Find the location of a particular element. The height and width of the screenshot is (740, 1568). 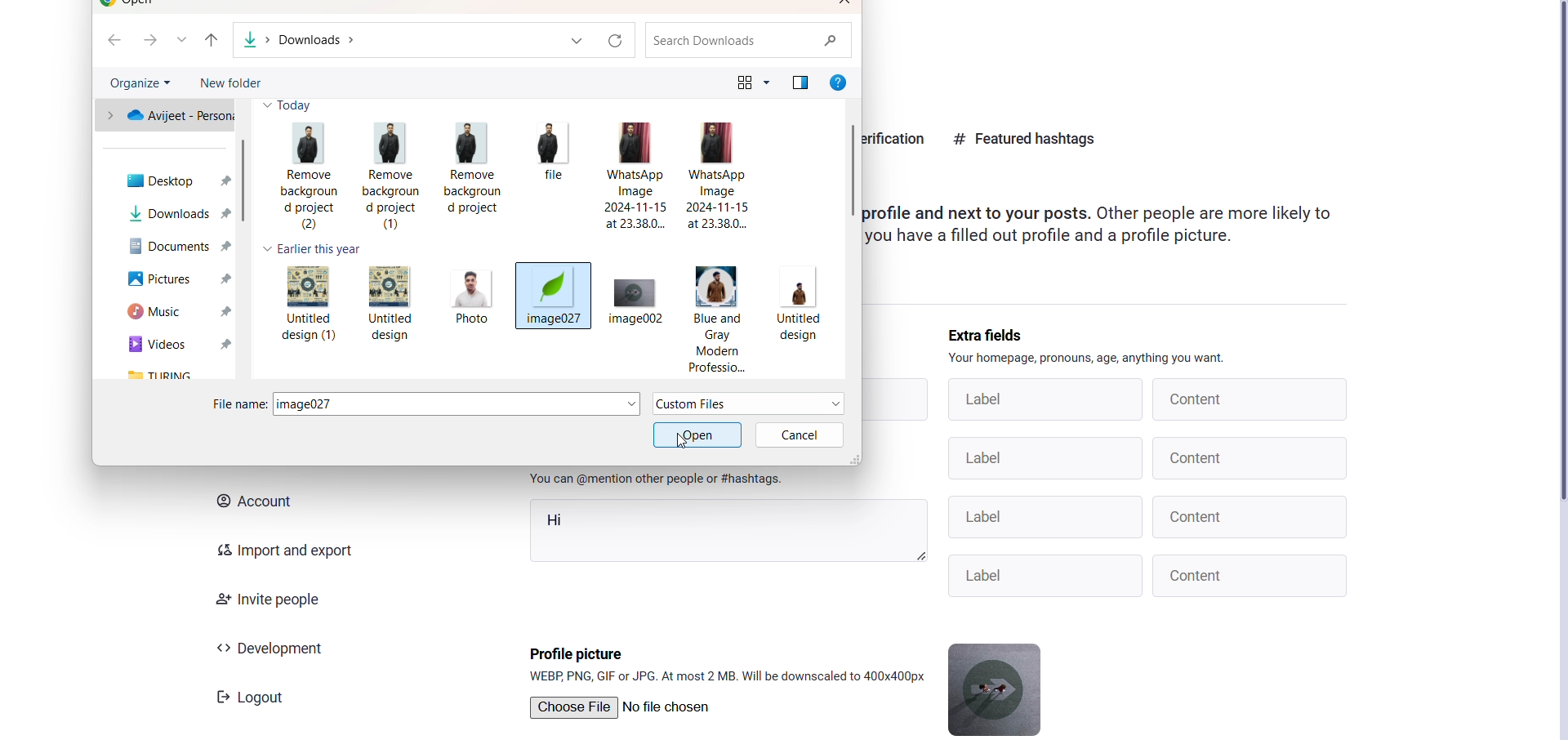

music is located at coordinates (171, 312).